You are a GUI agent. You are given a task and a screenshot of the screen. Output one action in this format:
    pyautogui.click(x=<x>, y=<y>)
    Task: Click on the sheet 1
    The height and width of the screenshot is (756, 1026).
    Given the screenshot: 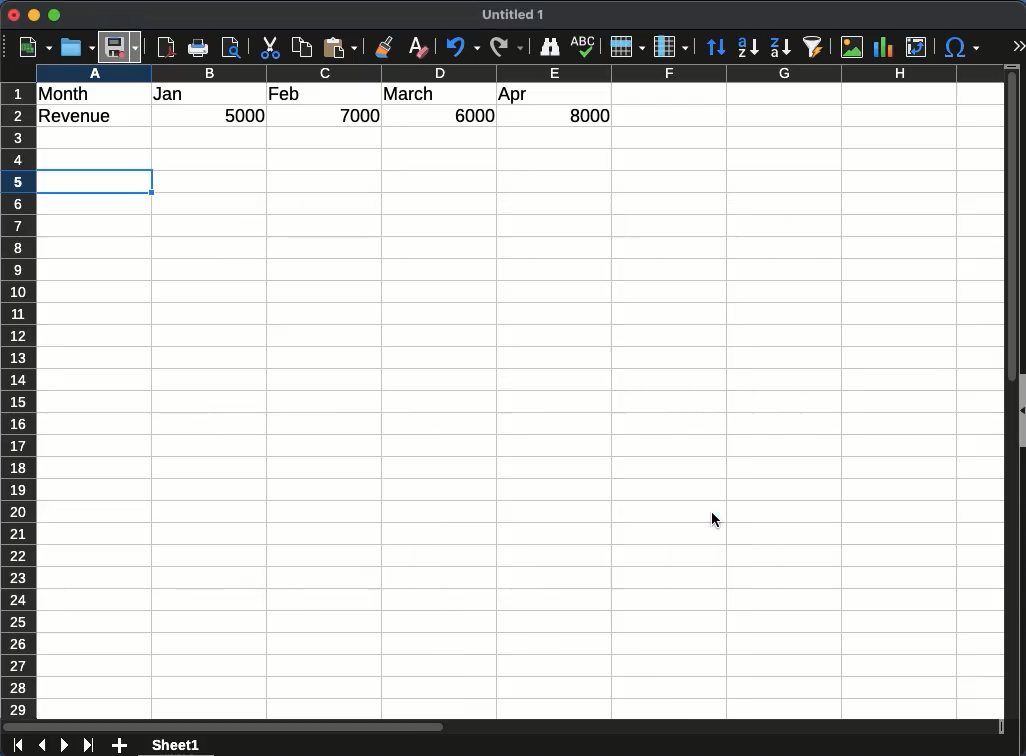 What is the action you would take?
    pyautogui.click(x=194, y=745)
    